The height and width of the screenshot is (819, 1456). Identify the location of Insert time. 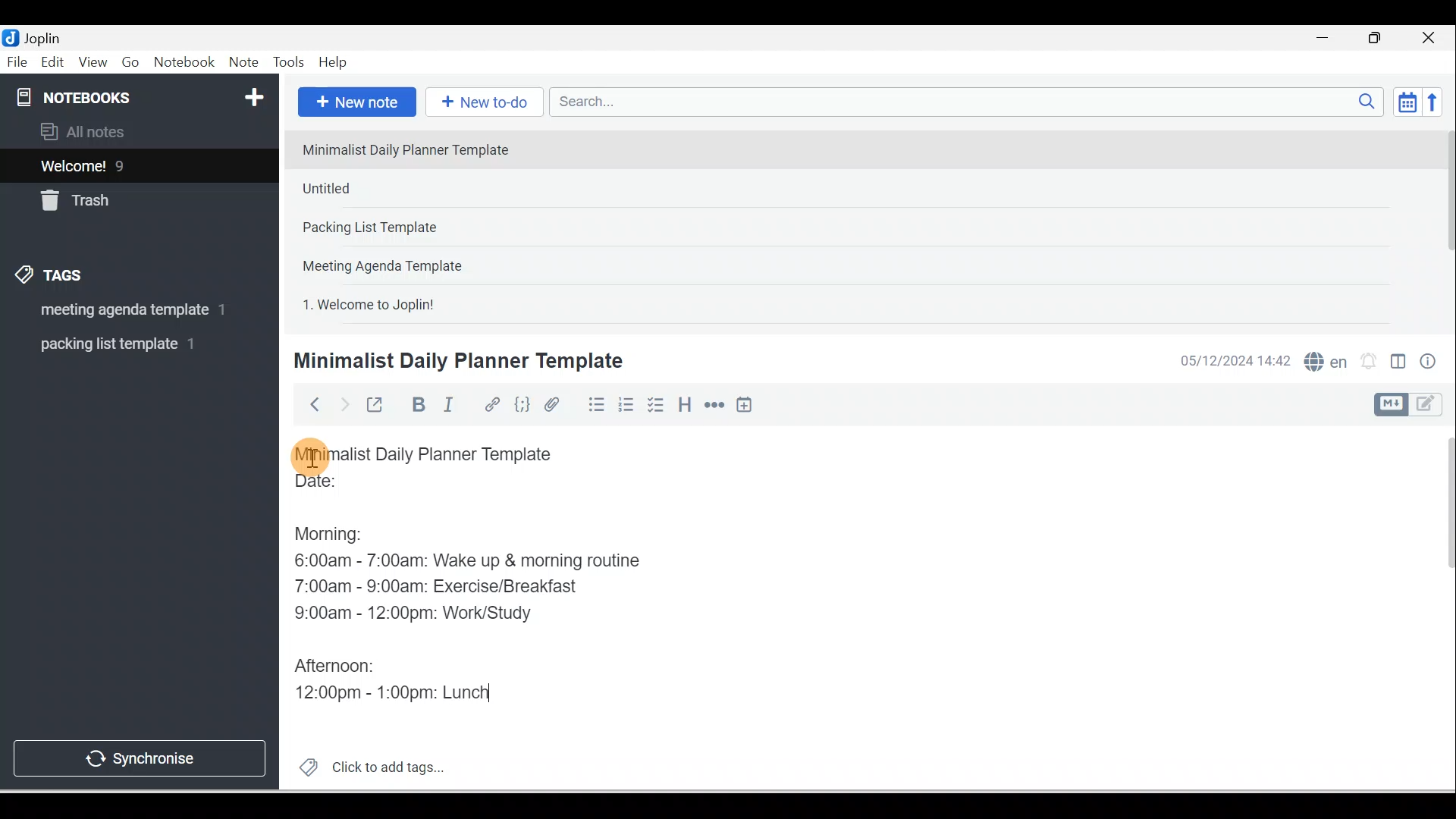
(744, 406).